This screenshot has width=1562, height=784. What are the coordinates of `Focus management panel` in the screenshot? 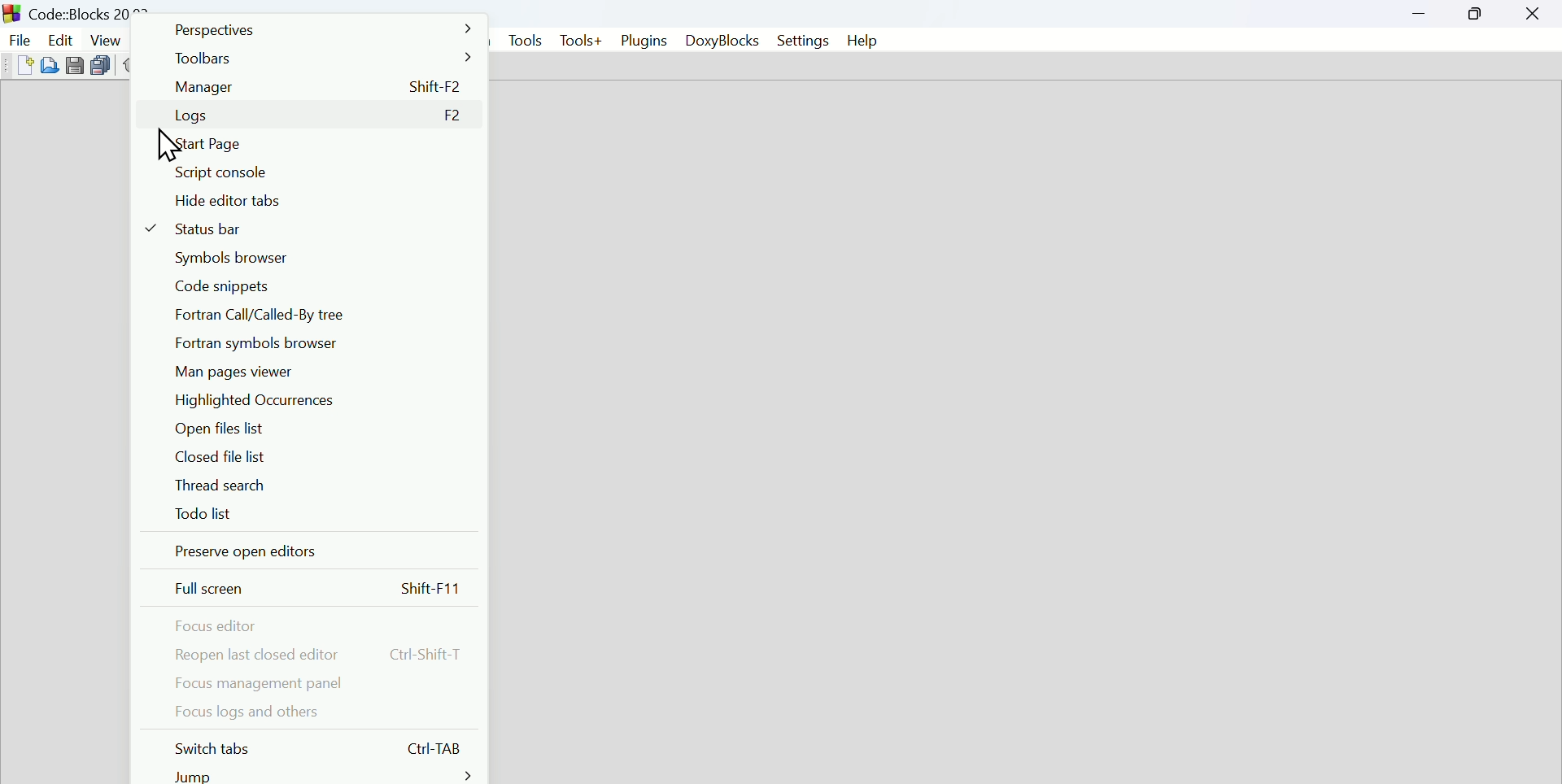 It's located at (324, 682).